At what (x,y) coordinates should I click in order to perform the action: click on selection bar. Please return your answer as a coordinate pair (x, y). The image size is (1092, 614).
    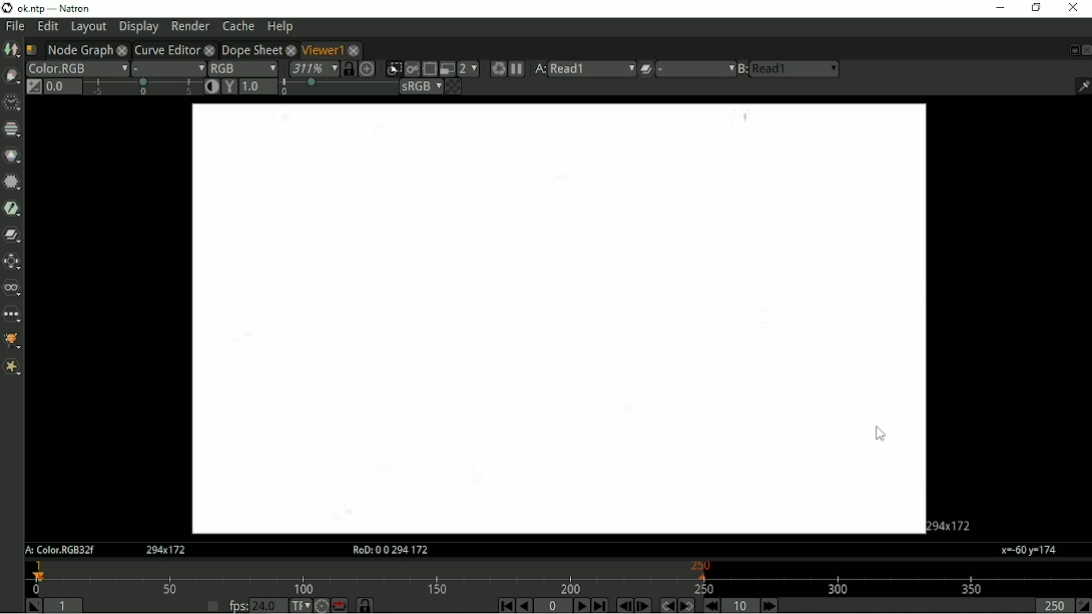
    Looking at the image, I should click on (142, 87).